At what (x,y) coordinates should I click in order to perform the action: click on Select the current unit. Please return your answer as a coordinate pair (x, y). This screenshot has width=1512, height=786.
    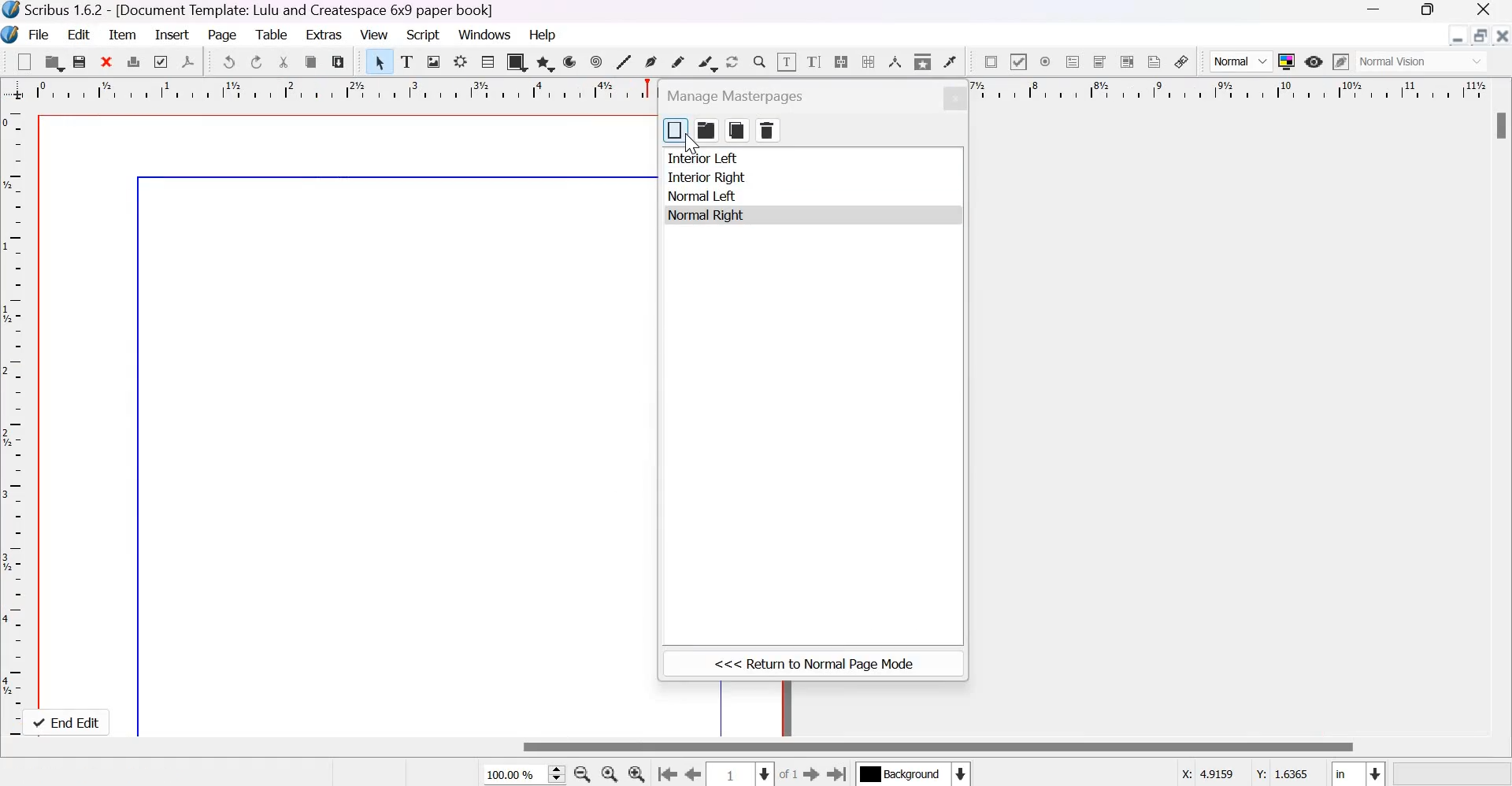
    Looking at the image, I should click on (1358, 773).